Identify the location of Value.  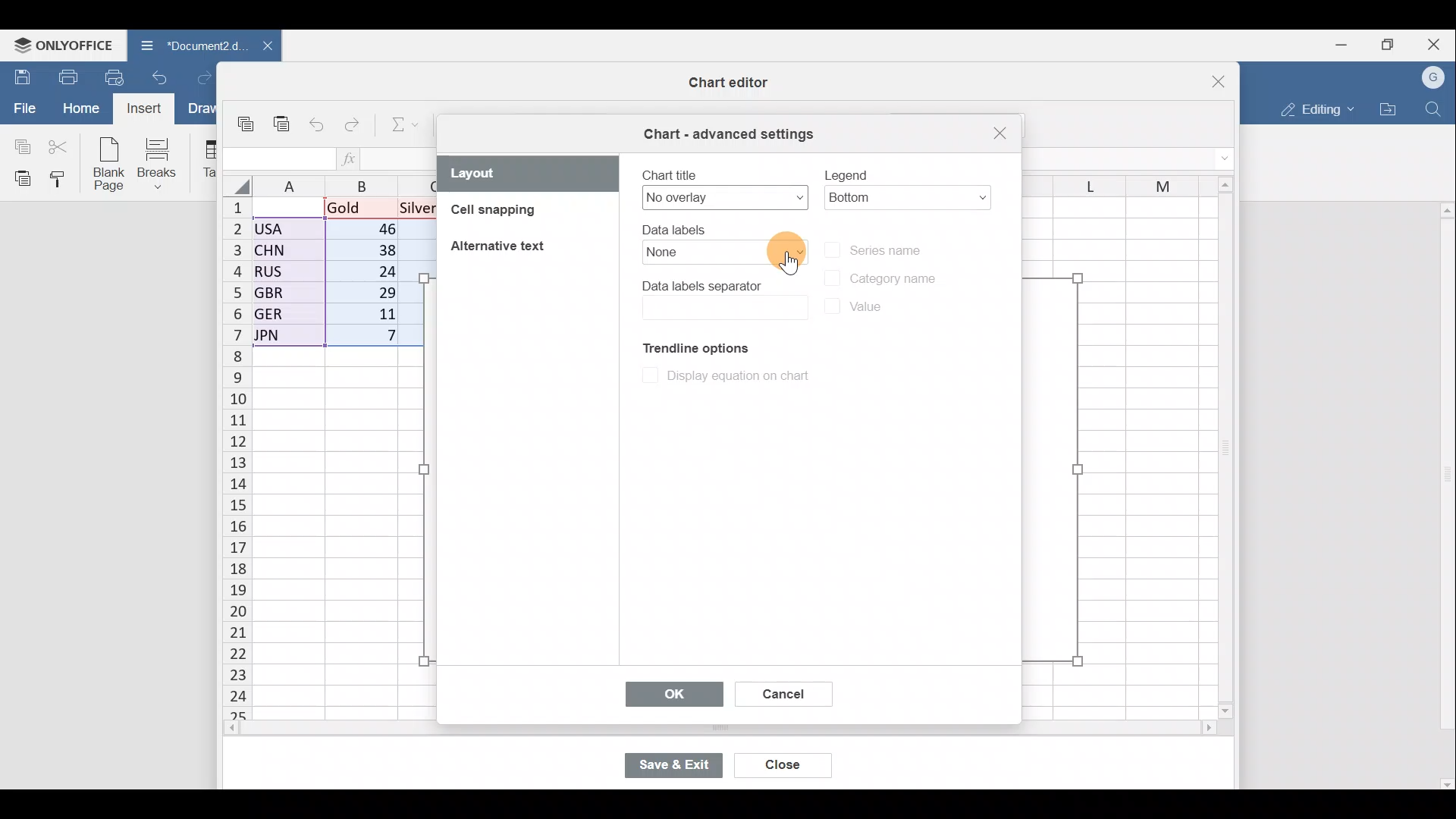
(860, 311).